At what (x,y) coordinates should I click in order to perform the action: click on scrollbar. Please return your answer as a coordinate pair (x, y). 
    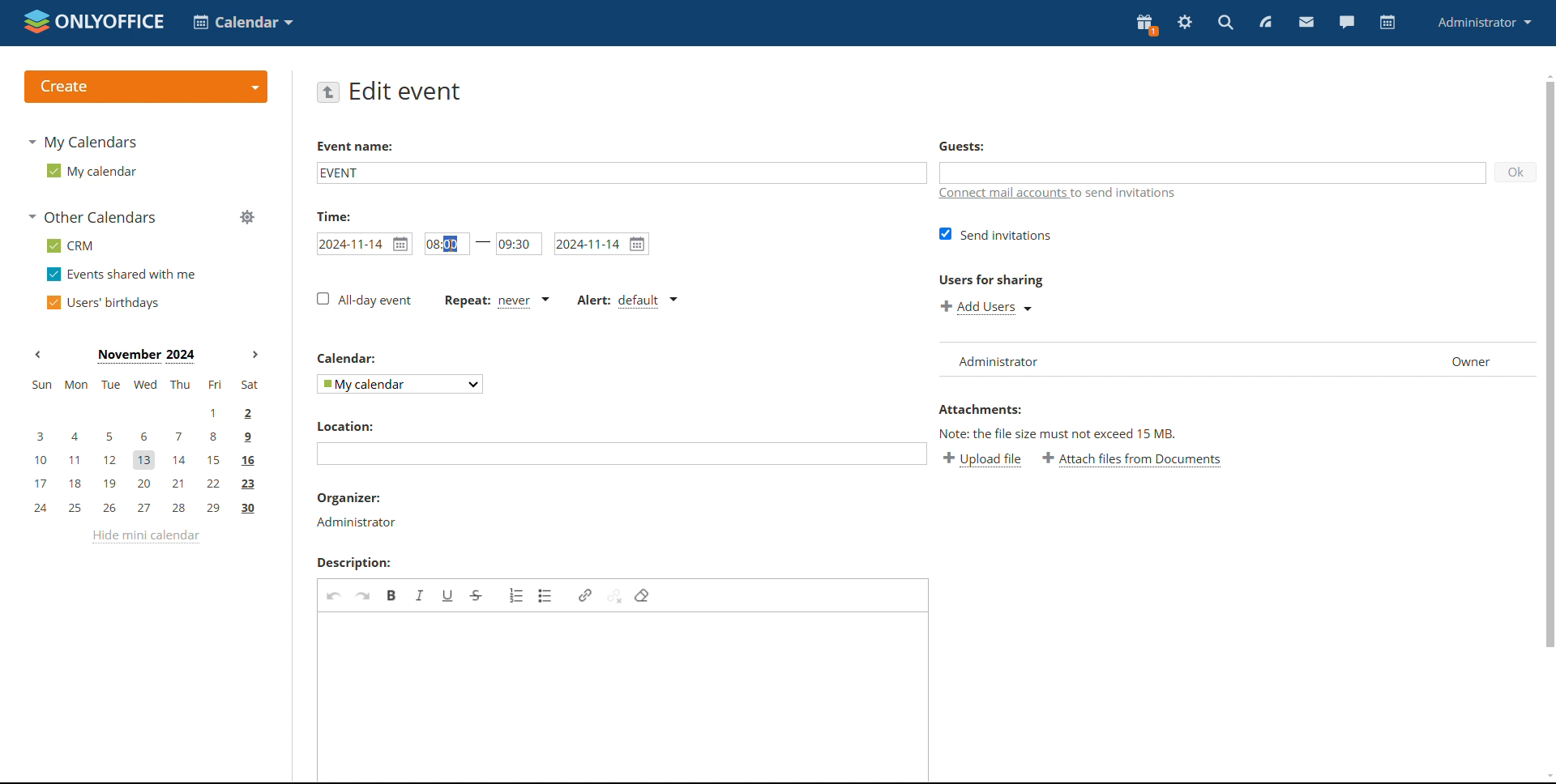
    Looking at the image, I should click on (1549, 364).